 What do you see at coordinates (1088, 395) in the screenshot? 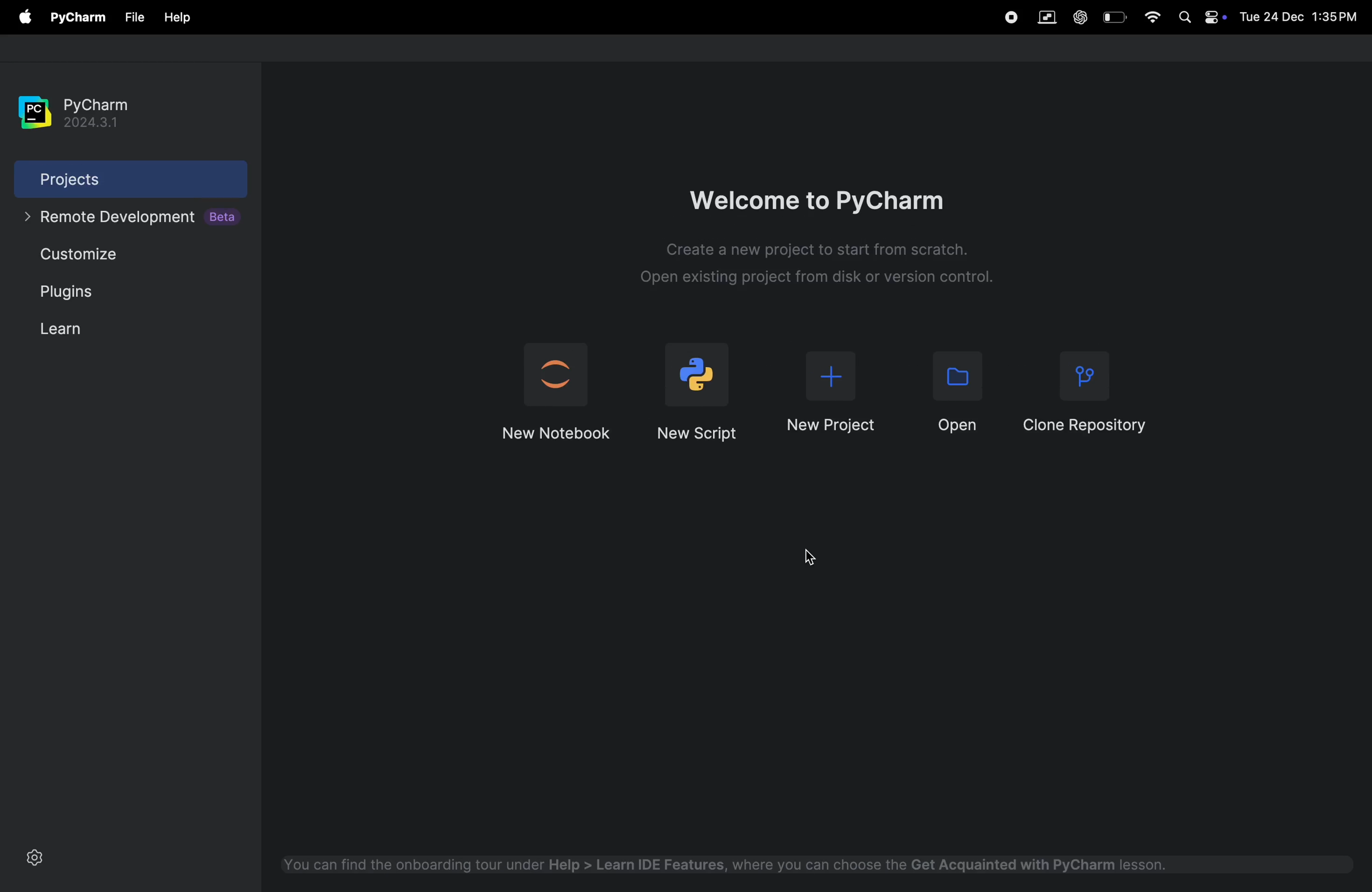
I see `clone reopsitory` at bounding box center [1088, 395].